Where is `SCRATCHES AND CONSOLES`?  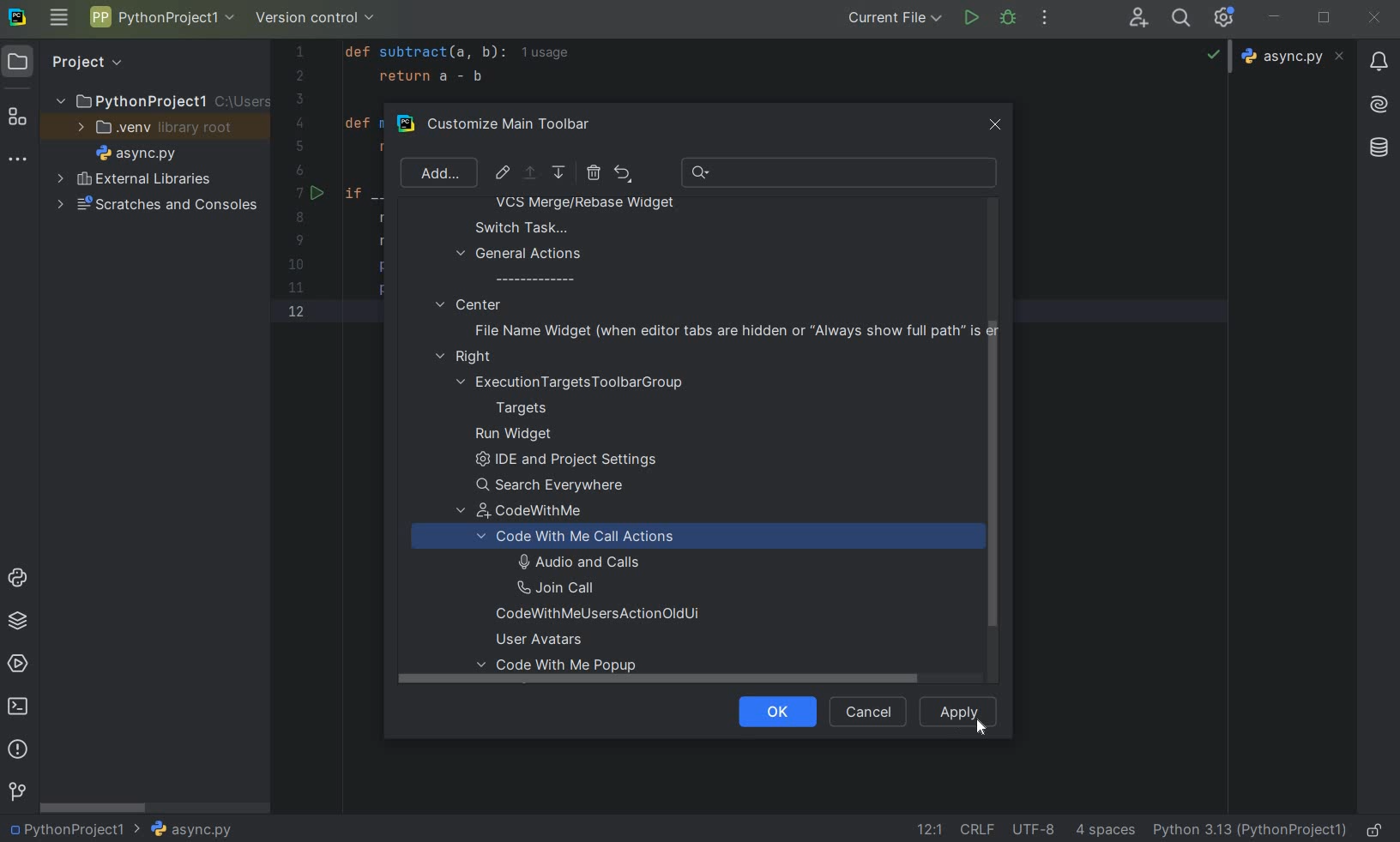
SCRATCHES AND CONSOLES is located at coordinates (158, 205).